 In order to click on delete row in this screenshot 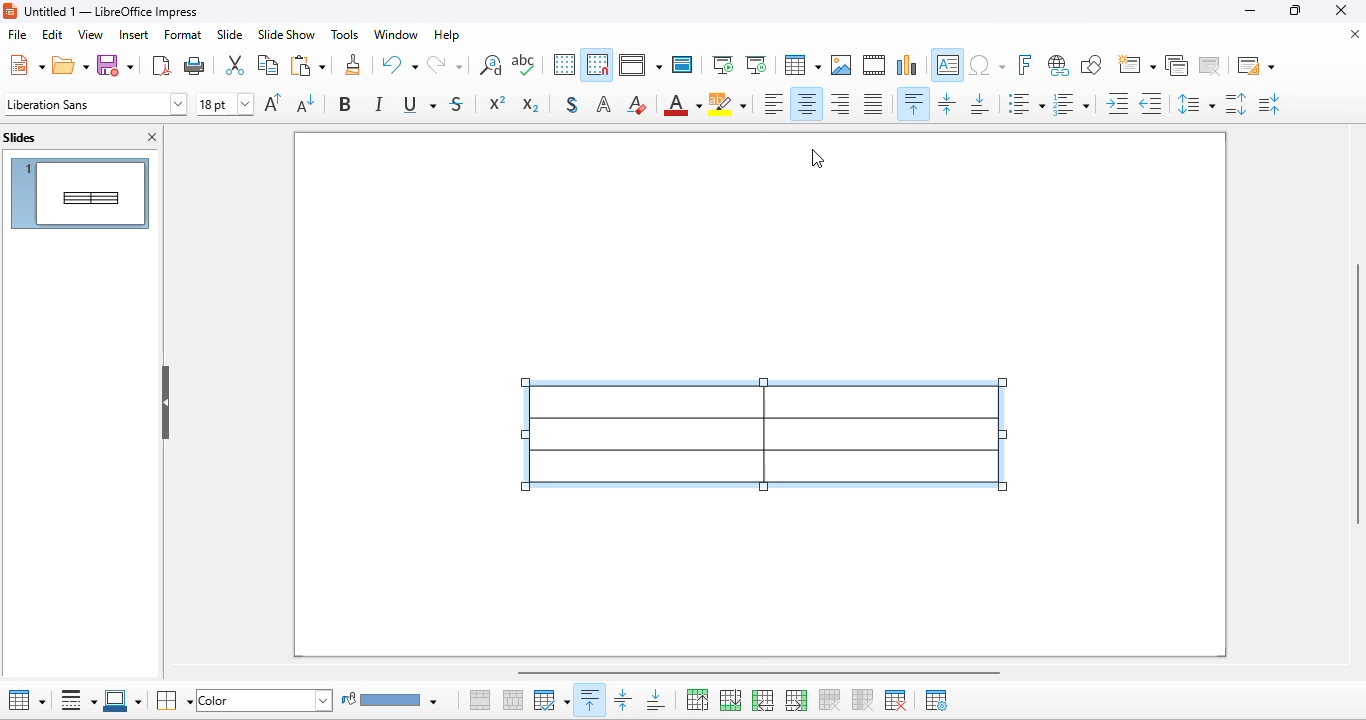, I will do `click(831, 700)`.